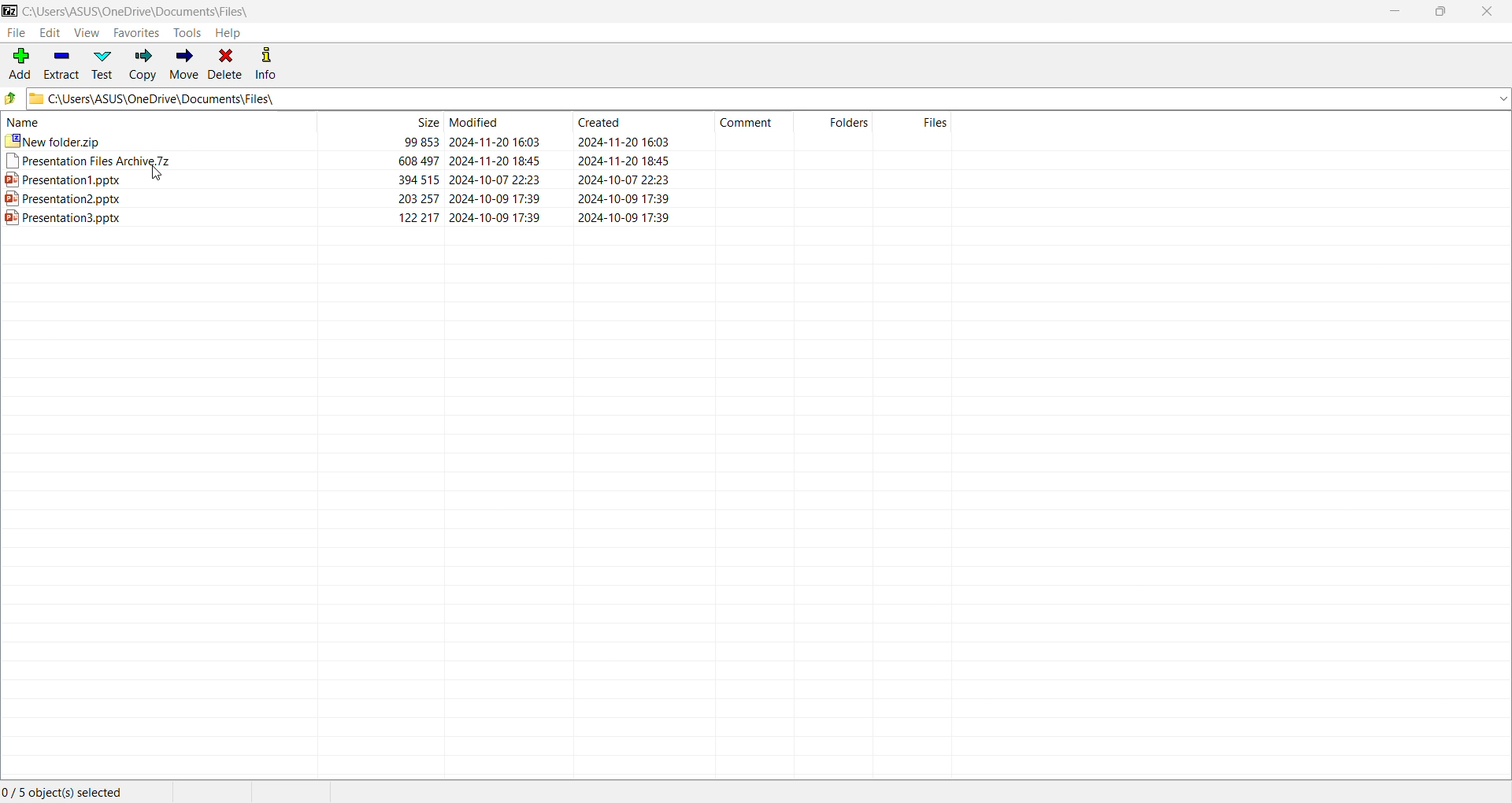  Describe the element at coordinates (268, 65) in the screenshot. I see `Info` at that location.